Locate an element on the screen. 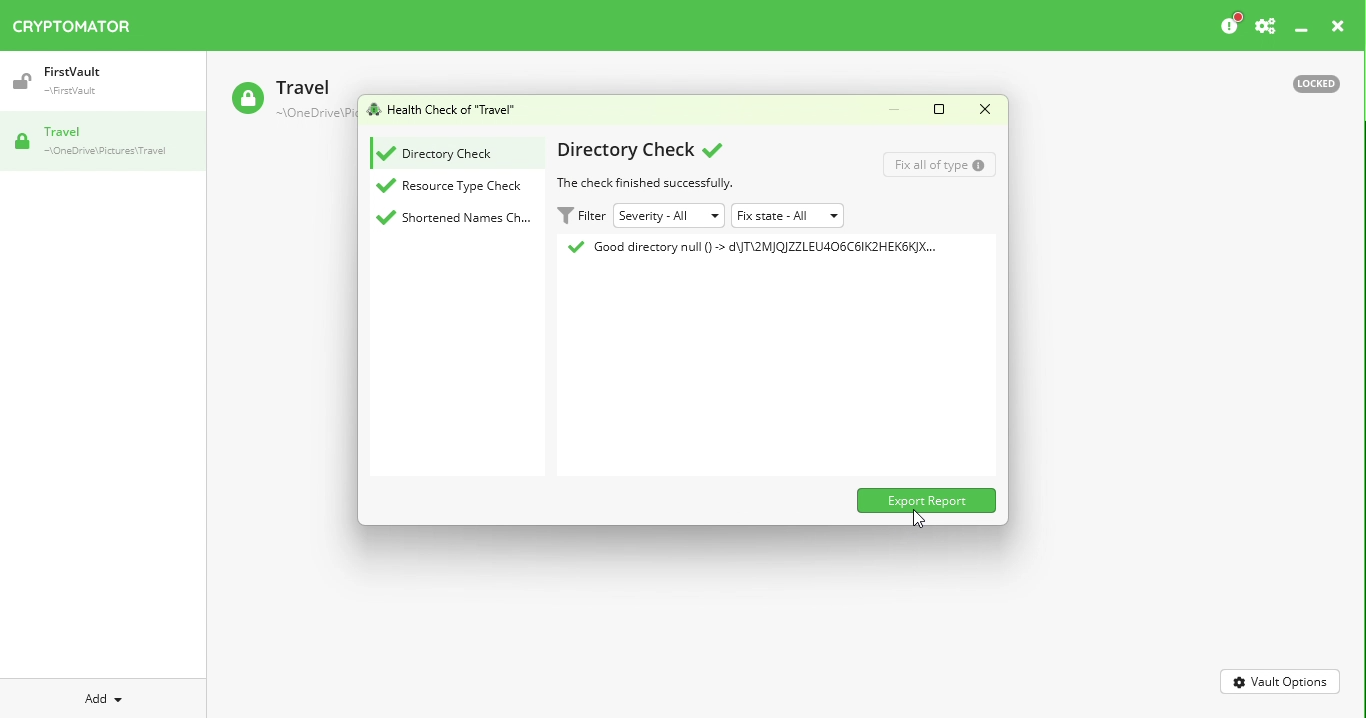 The width and height of the screenshot is (1366, 718). Add dropdown is located at coordinates (102, 696).